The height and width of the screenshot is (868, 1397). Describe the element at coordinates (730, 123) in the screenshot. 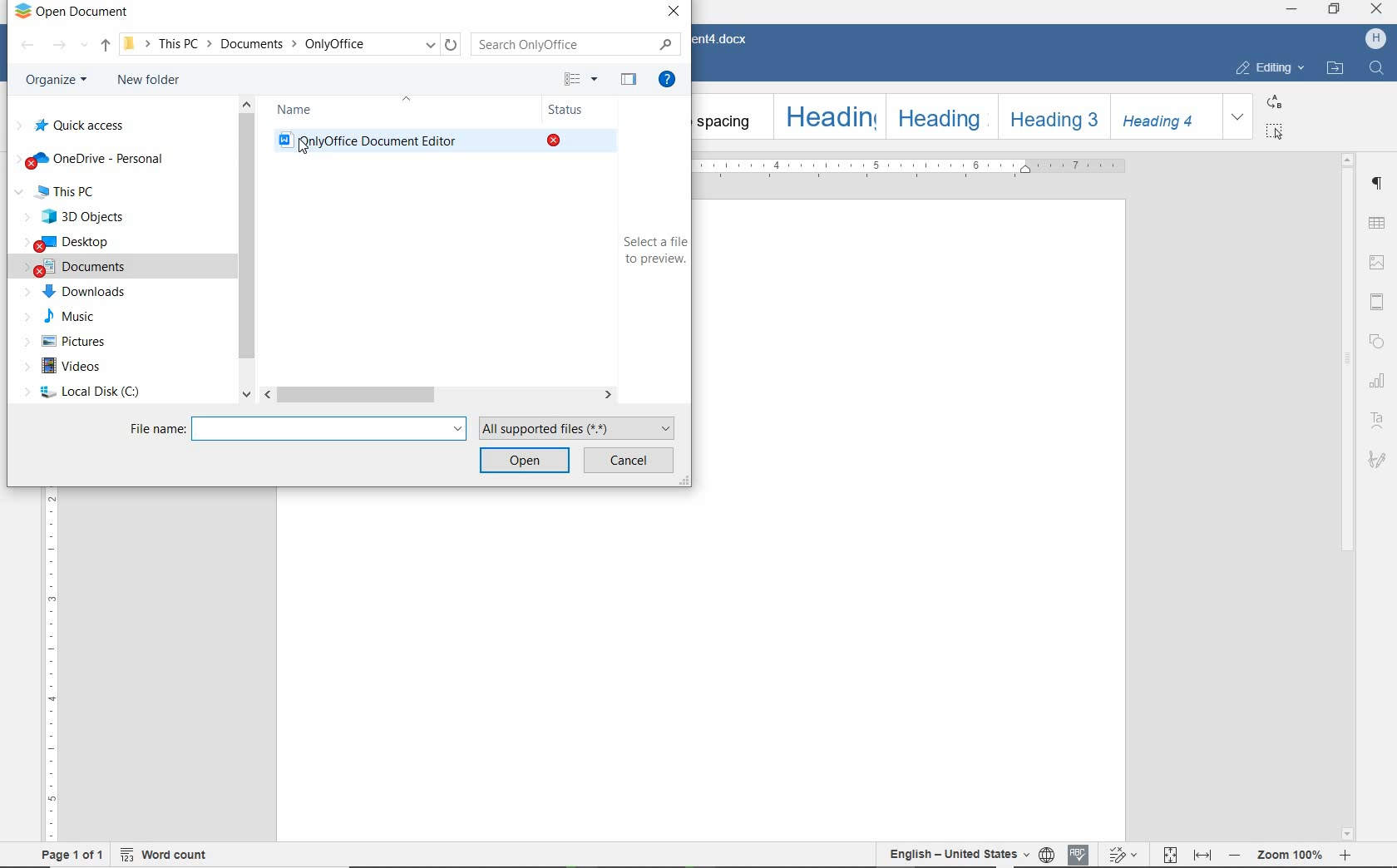

I see `No spacing` at that location.